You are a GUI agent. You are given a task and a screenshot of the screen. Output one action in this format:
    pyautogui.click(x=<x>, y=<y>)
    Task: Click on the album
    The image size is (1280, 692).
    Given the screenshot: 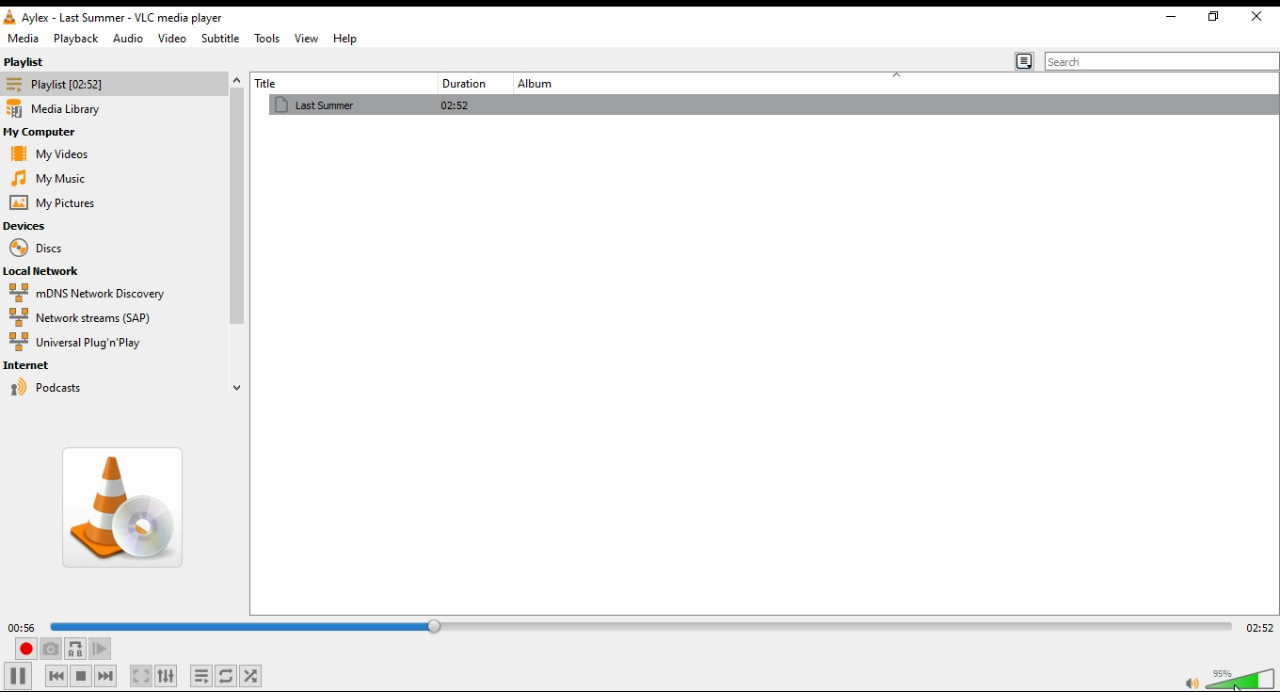 What is the action you would take?
    pyautogui.click(x=543, y=84)
    